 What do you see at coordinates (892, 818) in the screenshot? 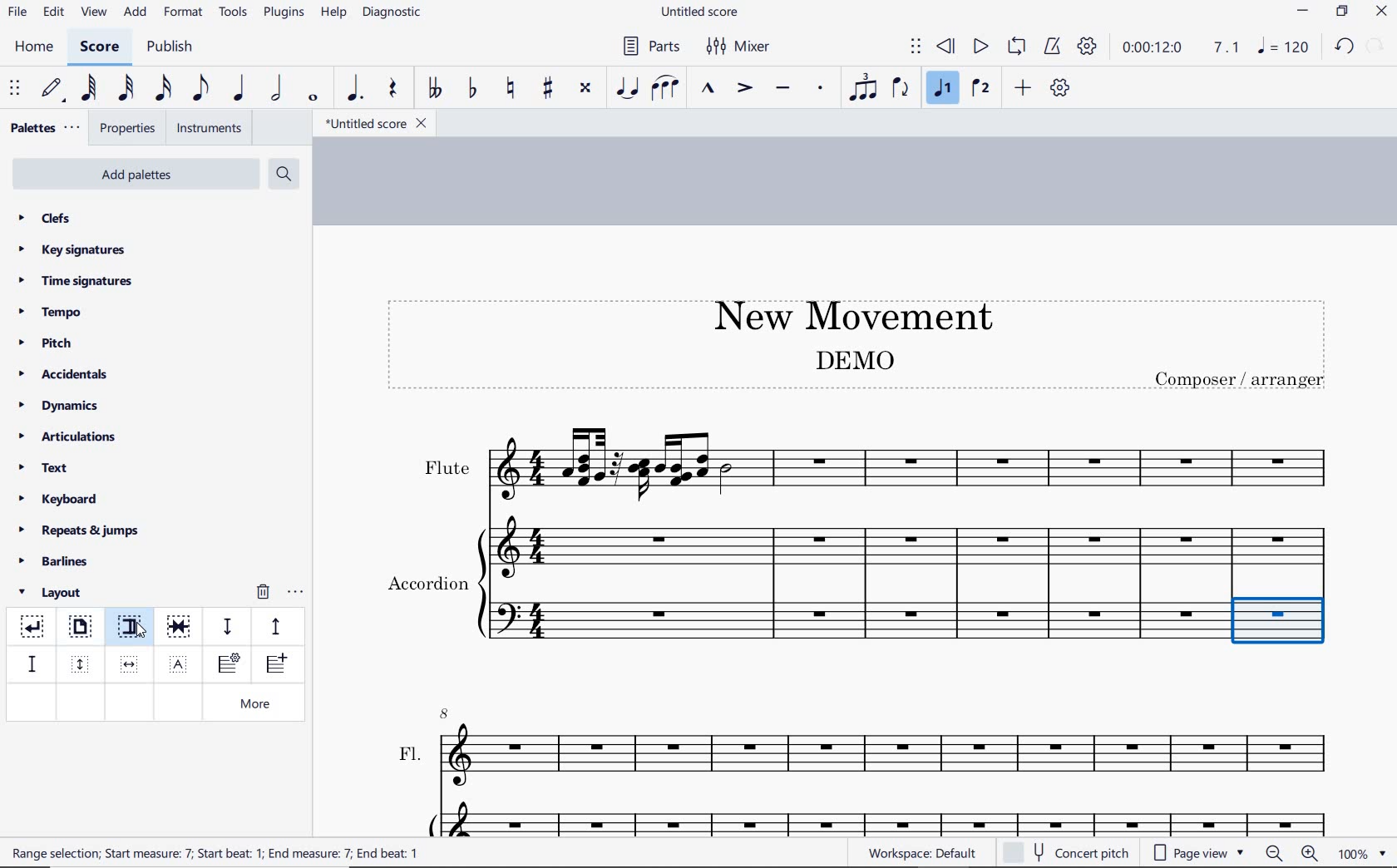
I see `Acc.` at bounding box center [892, 818].